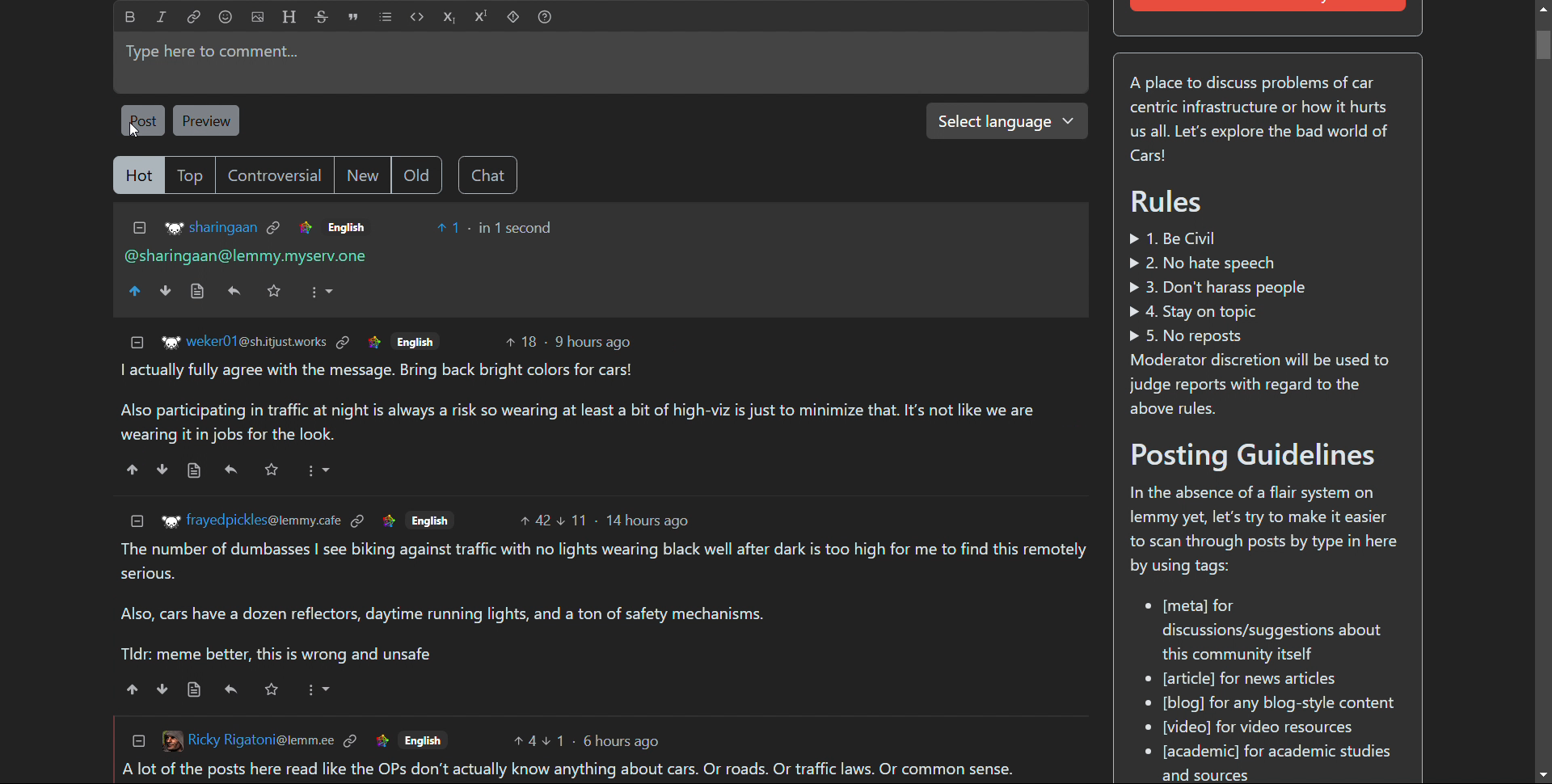 Image resolution: width=1552 pixels, height=784 pixels. What do you see at coordinates (288, 17) in the screenshot?
I see `header` at bounding box center [288, 17].